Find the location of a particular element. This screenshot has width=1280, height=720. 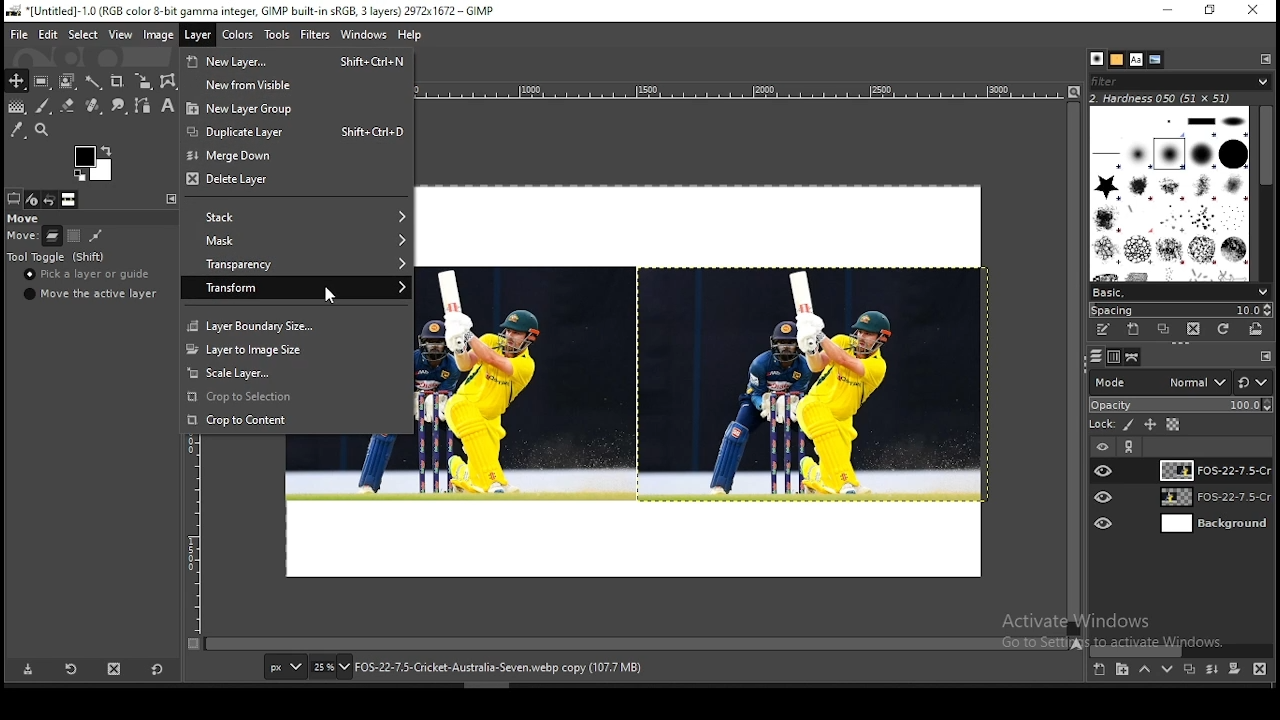

text tool is located at coordinates (164, 107).